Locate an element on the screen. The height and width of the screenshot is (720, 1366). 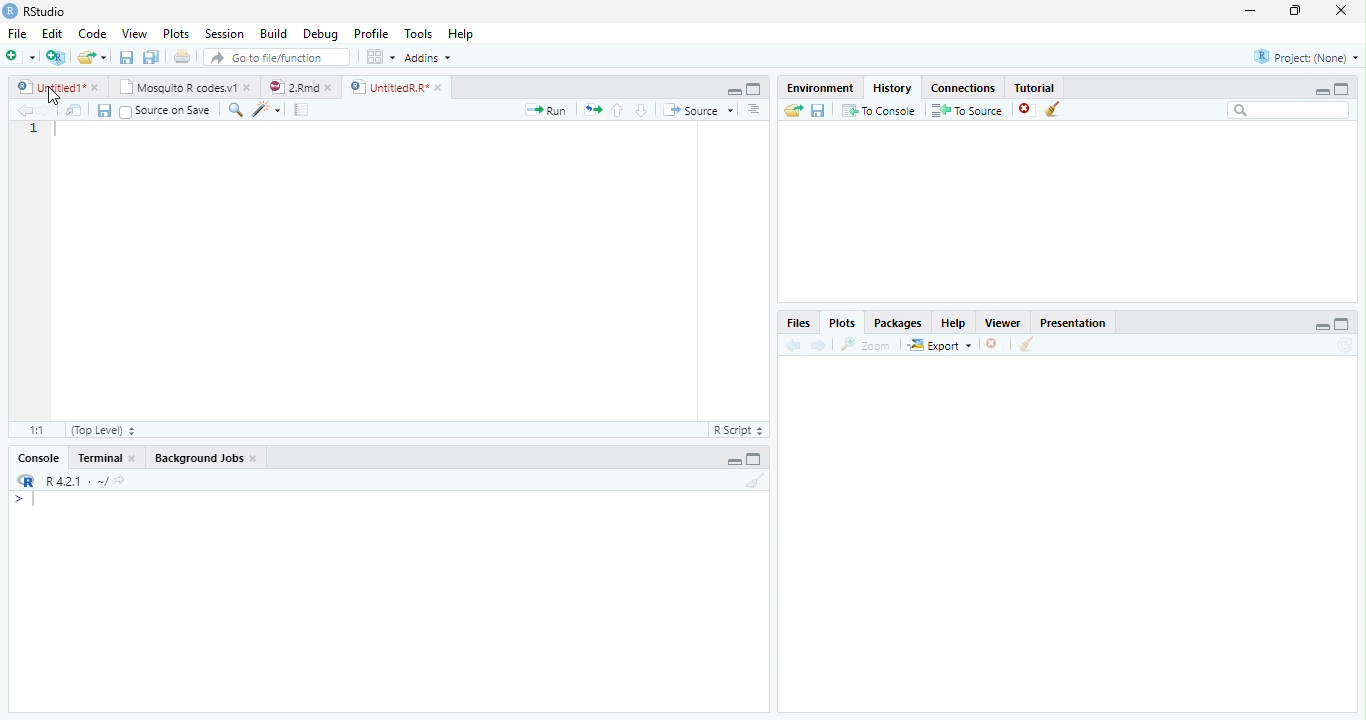
Plots is located at coordinates (844, 322).